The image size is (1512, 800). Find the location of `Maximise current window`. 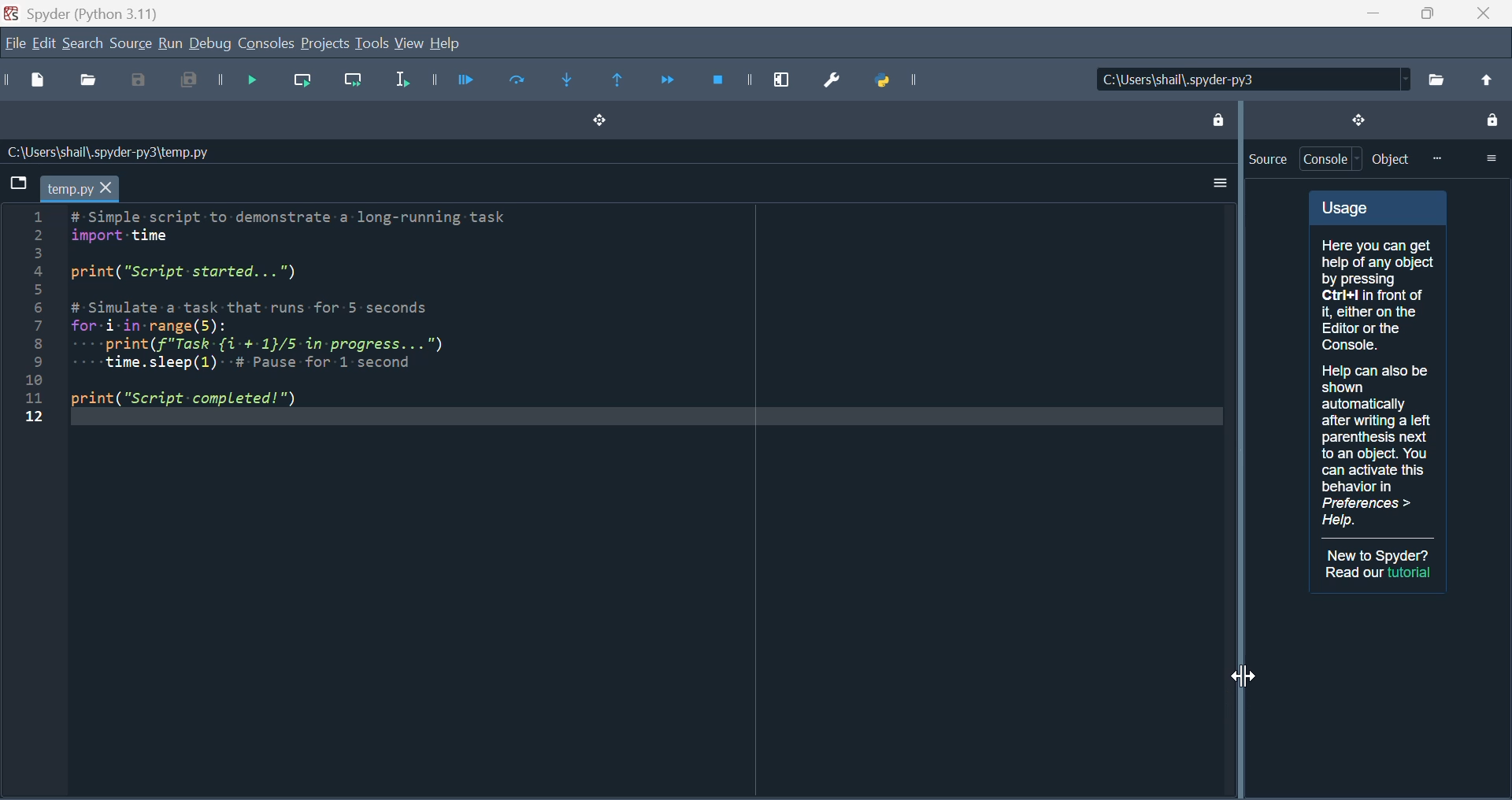

Maximise current window is located at coordinates (782, 76).